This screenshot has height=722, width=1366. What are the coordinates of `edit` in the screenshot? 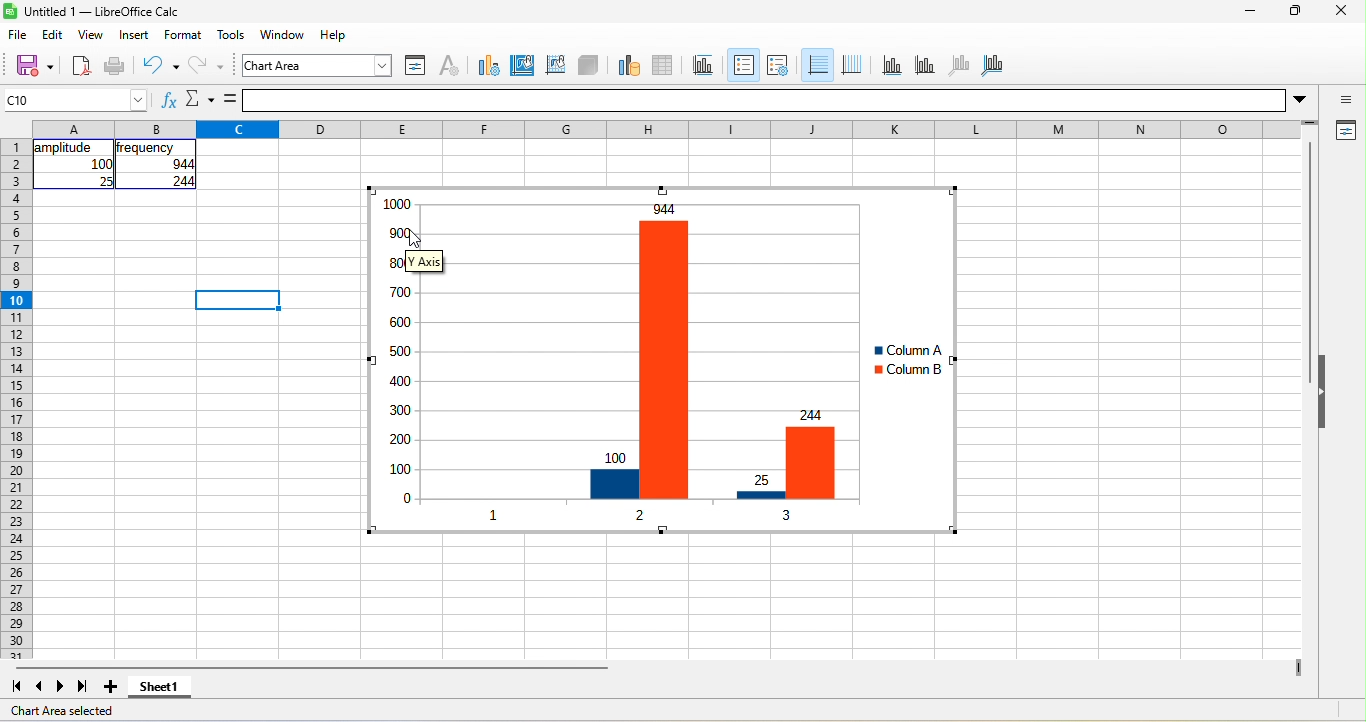 It's located at (56, 34).